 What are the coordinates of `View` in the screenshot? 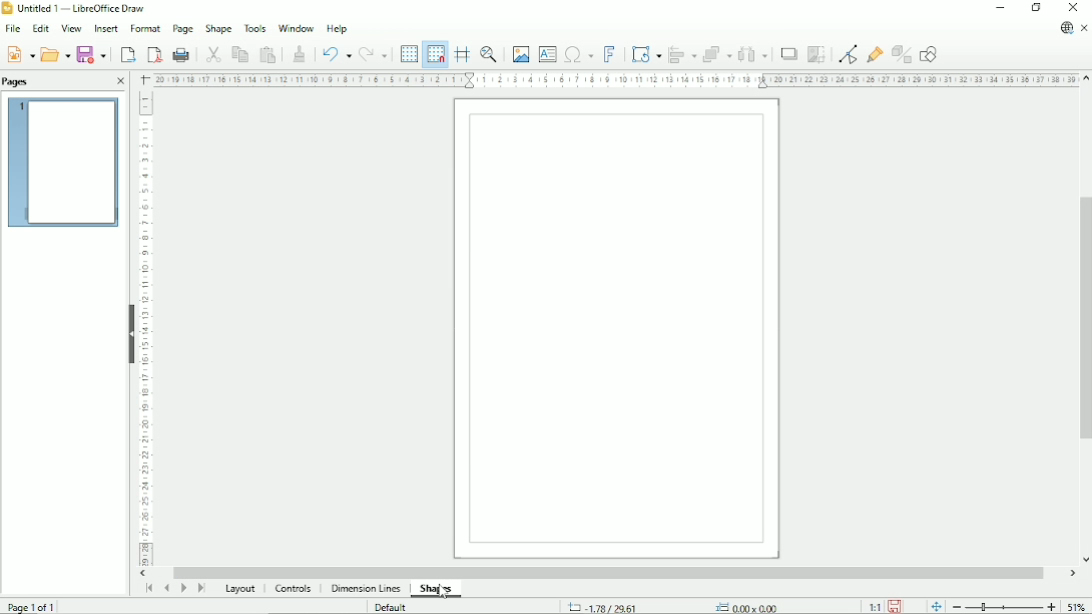 It's located at (71, 28).